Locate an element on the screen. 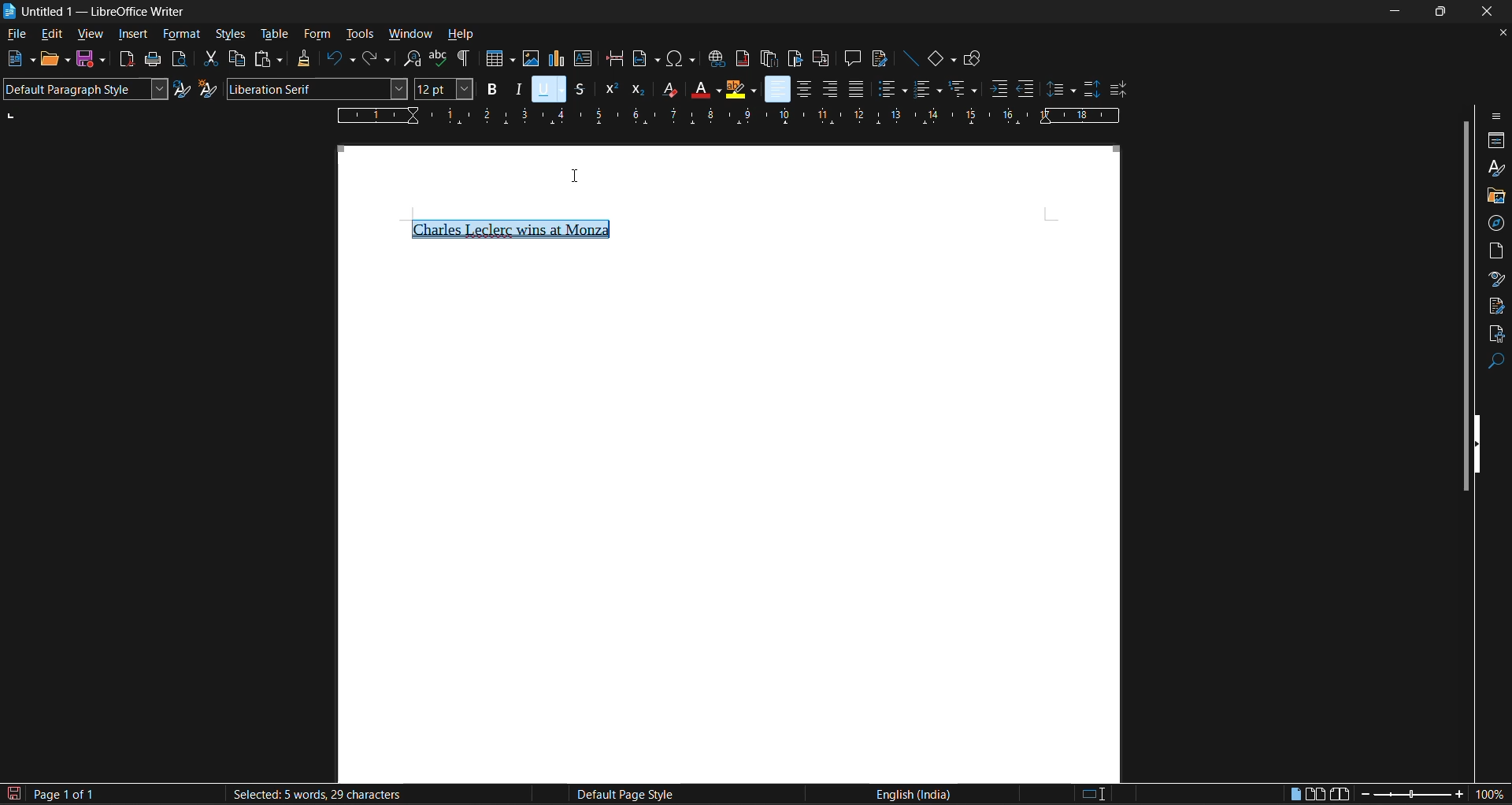  insert cross reference is located at coordinates (821, 60).